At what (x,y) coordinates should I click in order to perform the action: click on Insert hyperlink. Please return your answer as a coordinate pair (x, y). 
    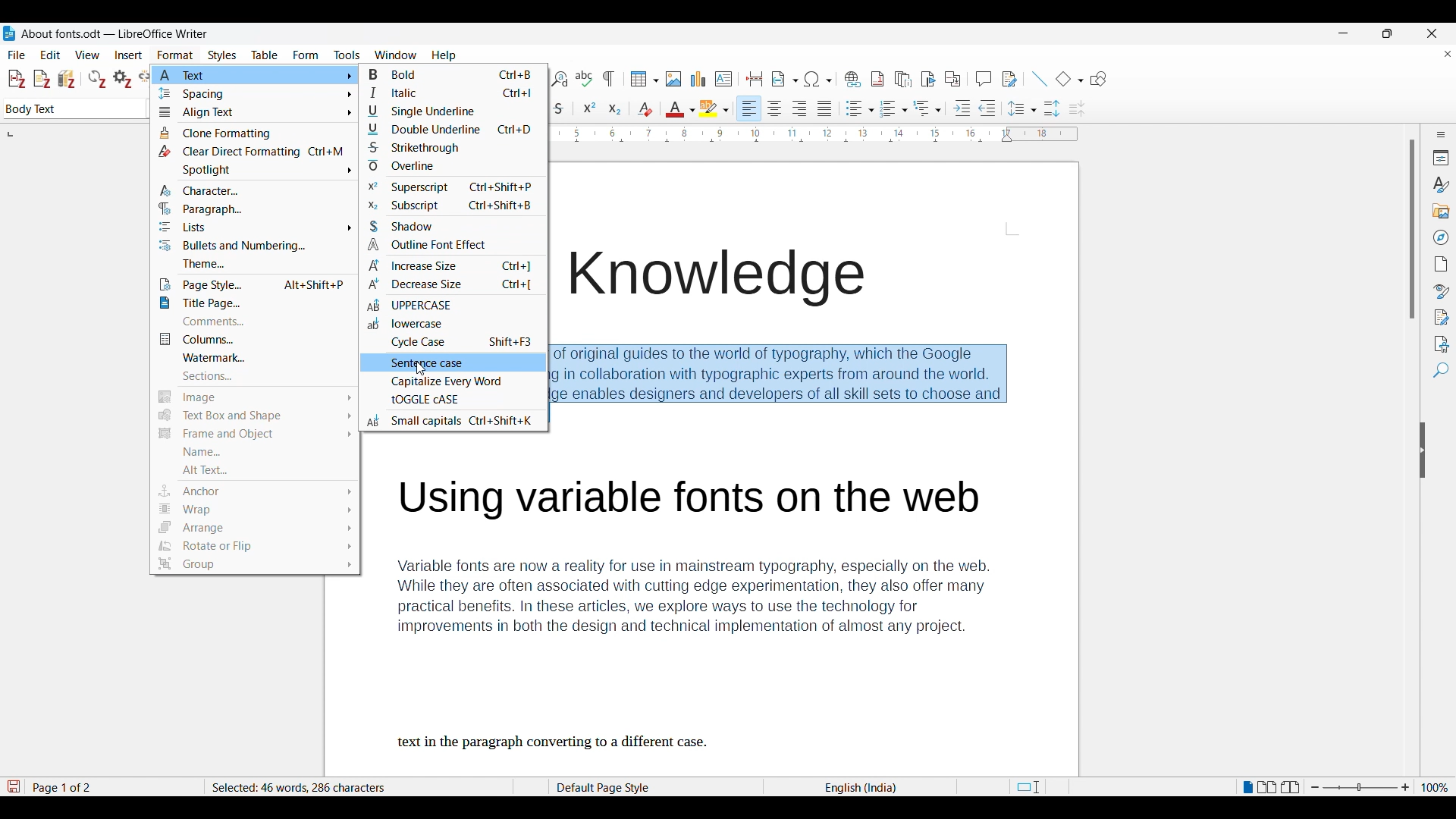
    Looking at the image, I should click on (852, 79).